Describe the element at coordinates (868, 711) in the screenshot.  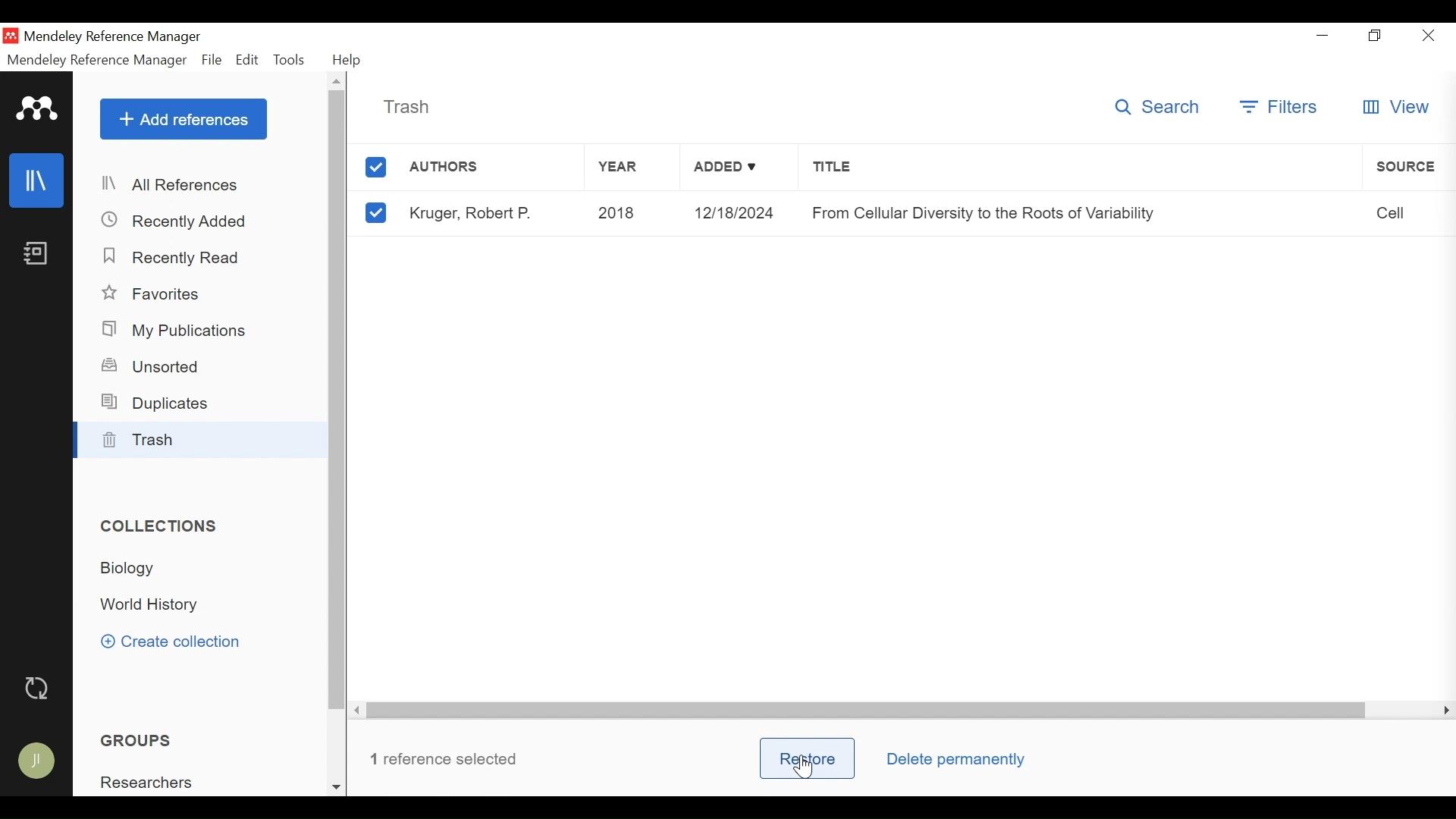
I see `Horizontal Scroll bar` at that location.